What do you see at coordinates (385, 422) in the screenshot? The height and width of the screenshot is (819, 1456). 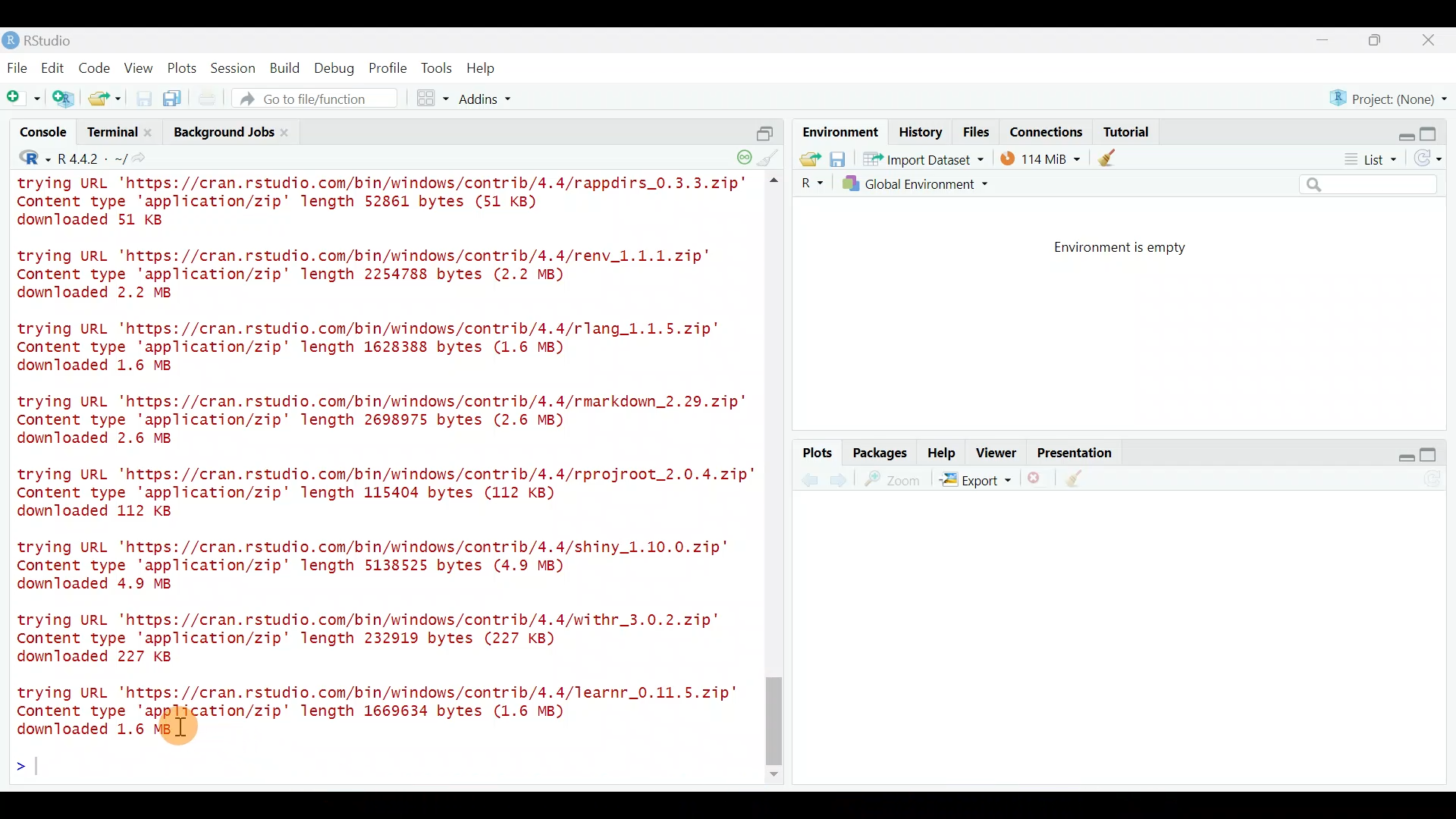 I see `trying URL 'https://cran.rstudio.com/bin/windows/contrib/4.4/rmarkdown_2.29.zip"
Content type 'application/zip' length 2698975 bytes (2.6 MB)
downloaded 2.6 MB` at bounding box center [385, 422].